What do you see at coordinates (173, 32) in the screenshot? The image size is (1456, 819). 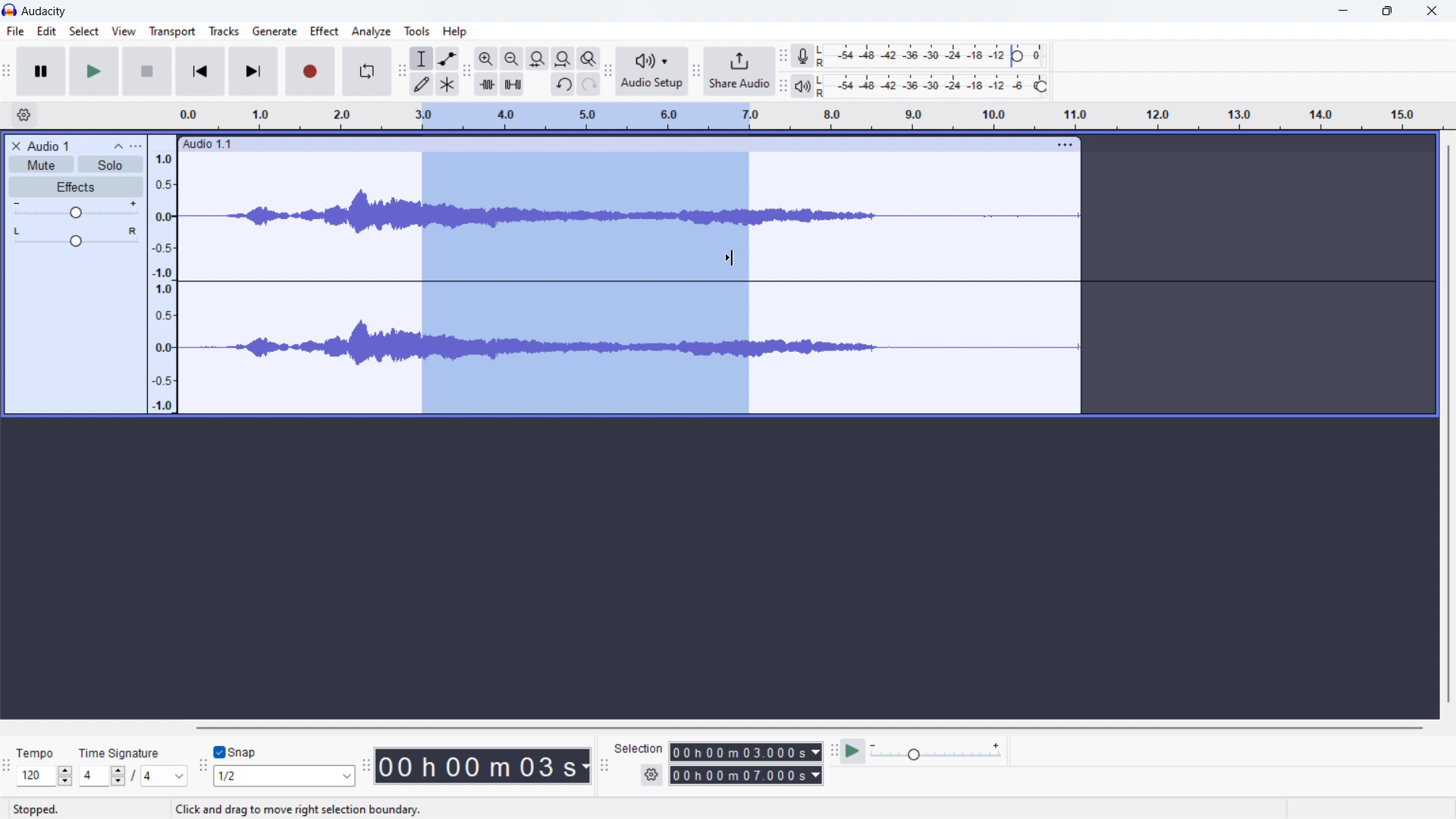 I see `transport` at bounding box center [173, 32].